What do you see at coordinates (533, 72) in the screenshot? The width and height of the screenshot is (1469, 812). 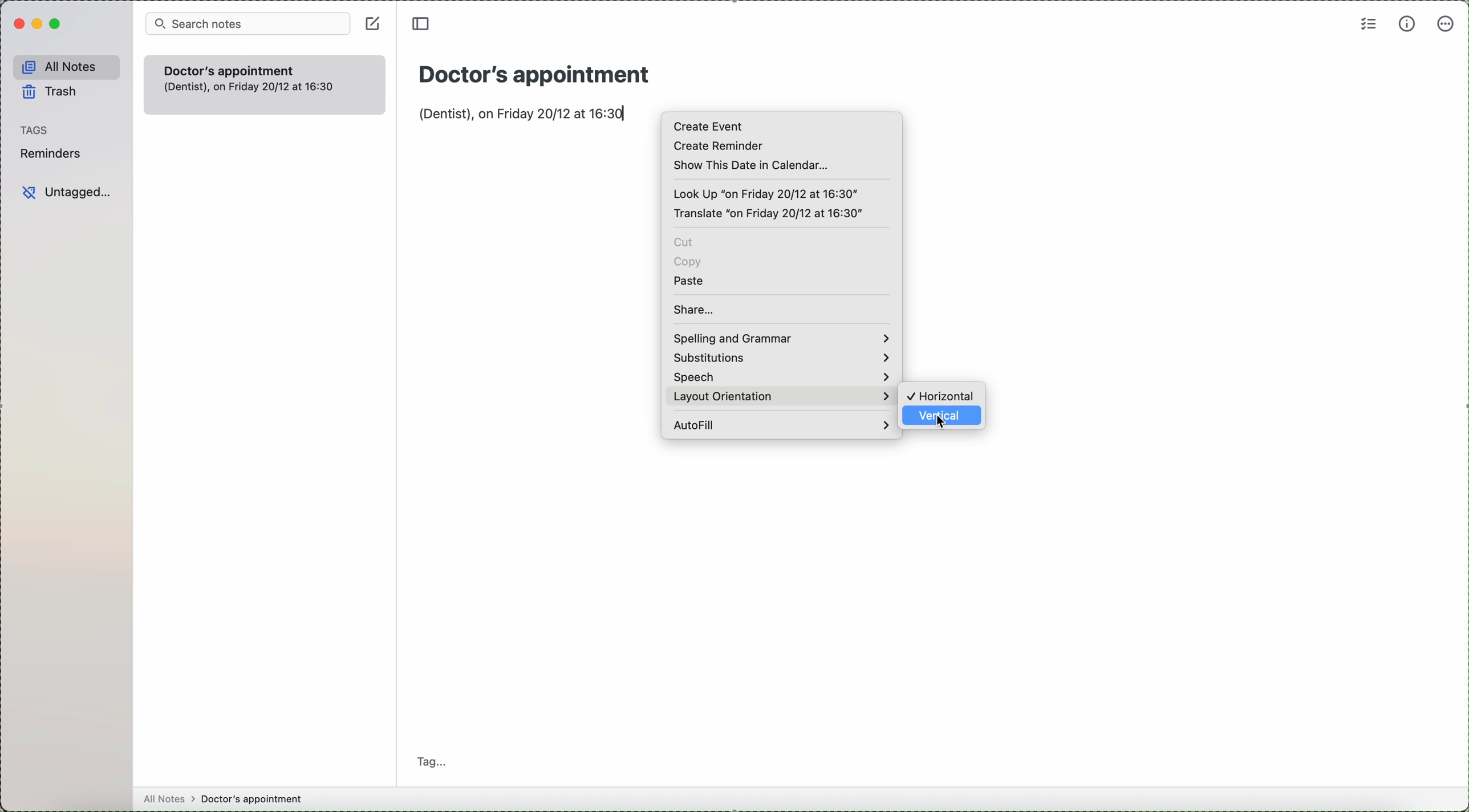 I see `title: Doctor's appointment` at bounding box center [533, 72].